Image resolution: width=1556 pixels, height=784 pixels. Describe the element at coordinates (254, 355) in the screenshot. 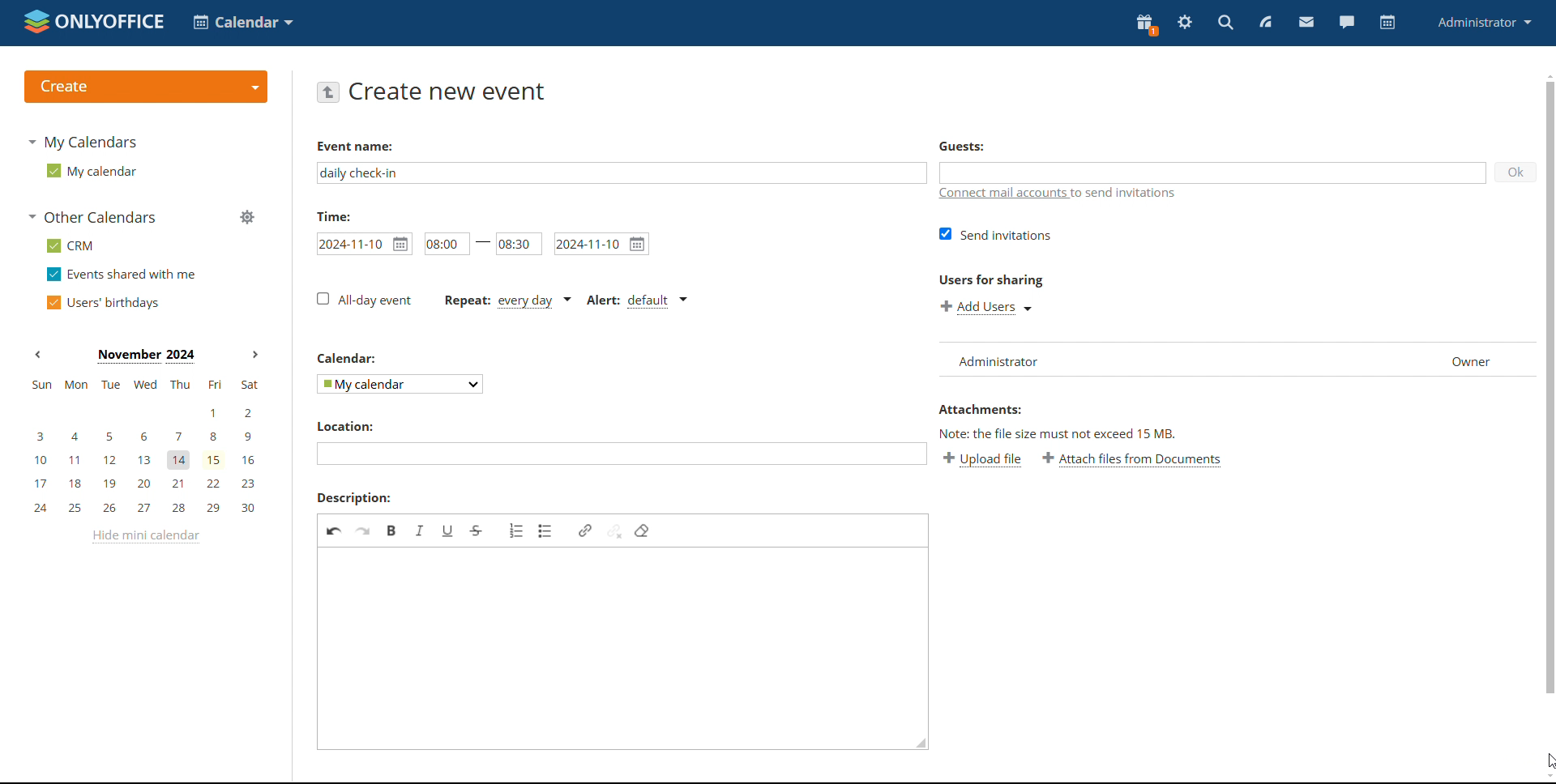

I see `next month` at that location.